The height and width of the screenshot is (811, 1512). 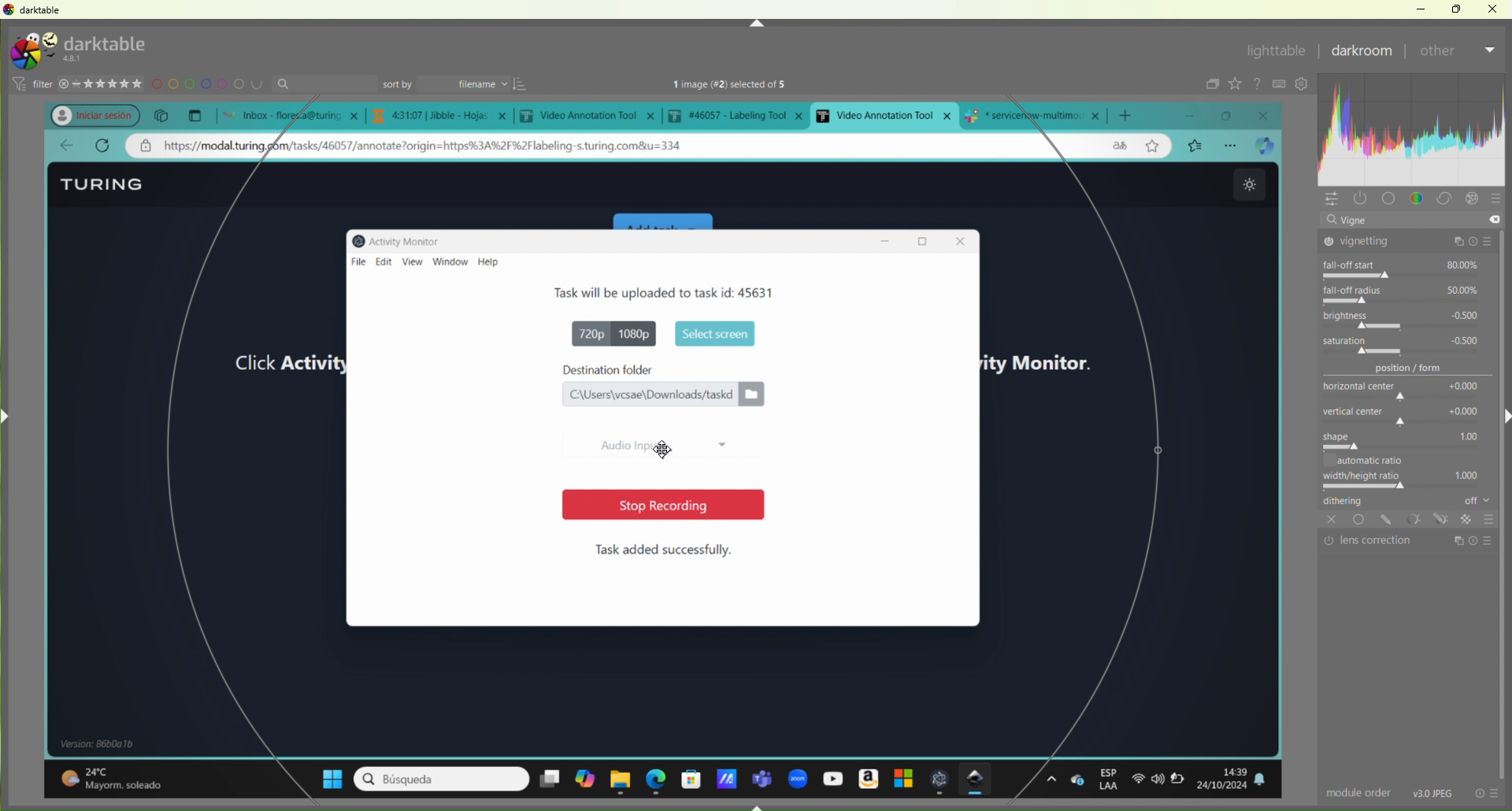 I want to click on tab, so click(x=591, y=117).